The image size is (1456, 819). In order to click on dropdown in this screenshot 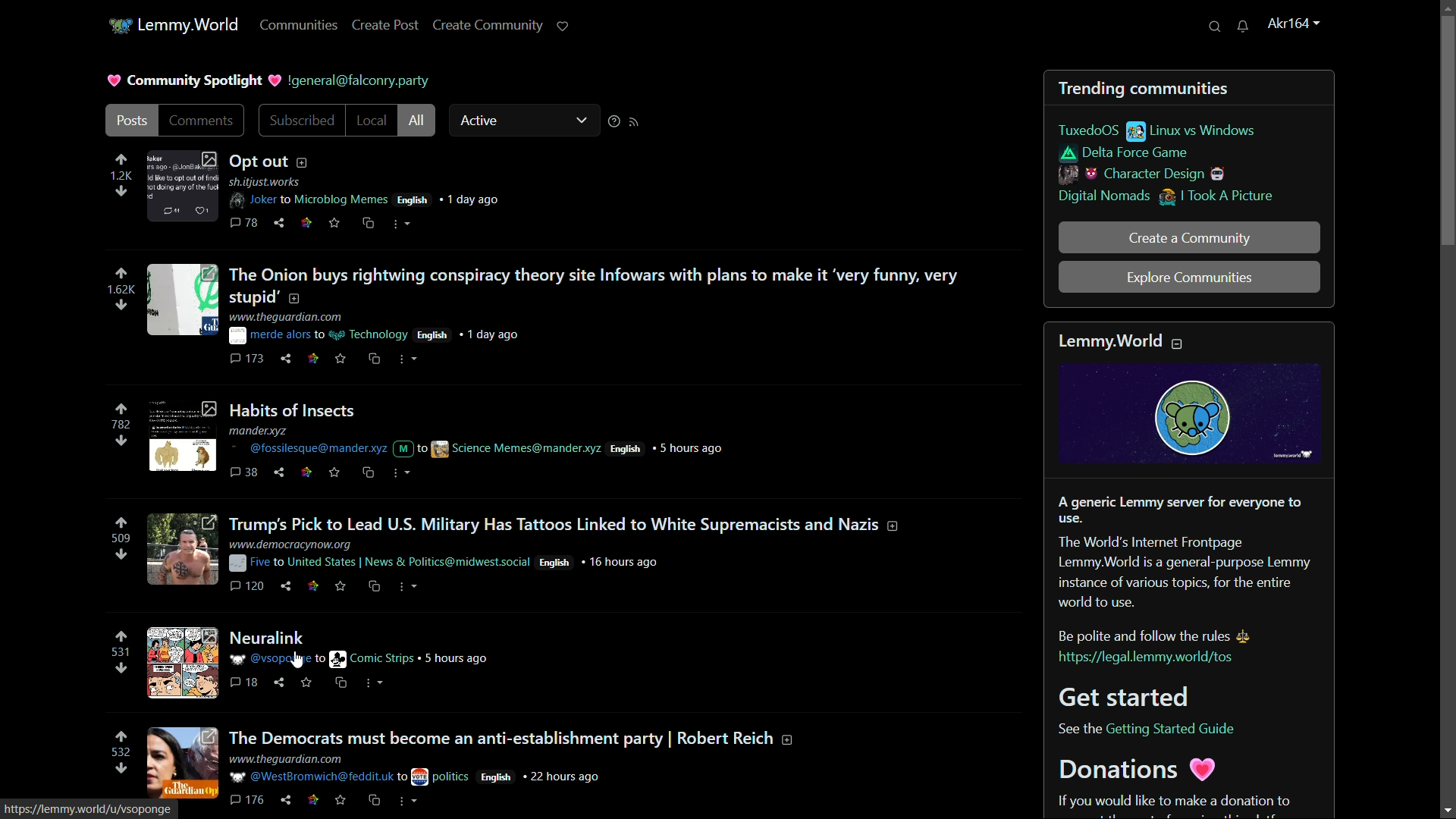, I will do `click(583, 121)`.